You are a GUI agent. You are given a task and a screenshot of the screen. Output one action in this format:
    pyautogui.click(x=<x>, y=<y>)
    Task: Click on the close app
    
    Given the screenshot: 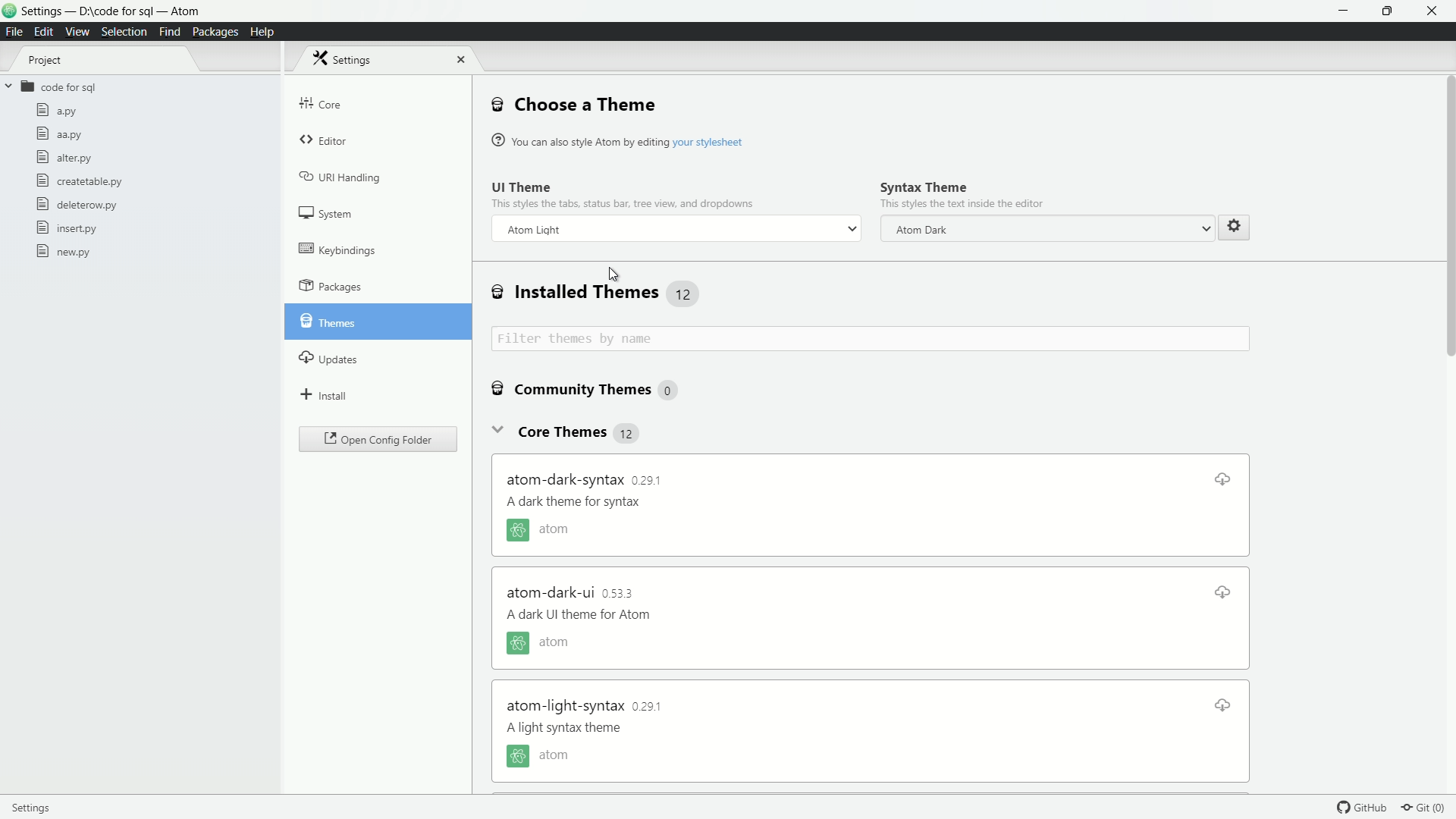 What is the action you would take?
    pyautogui.click(x=1437, y=11)
    